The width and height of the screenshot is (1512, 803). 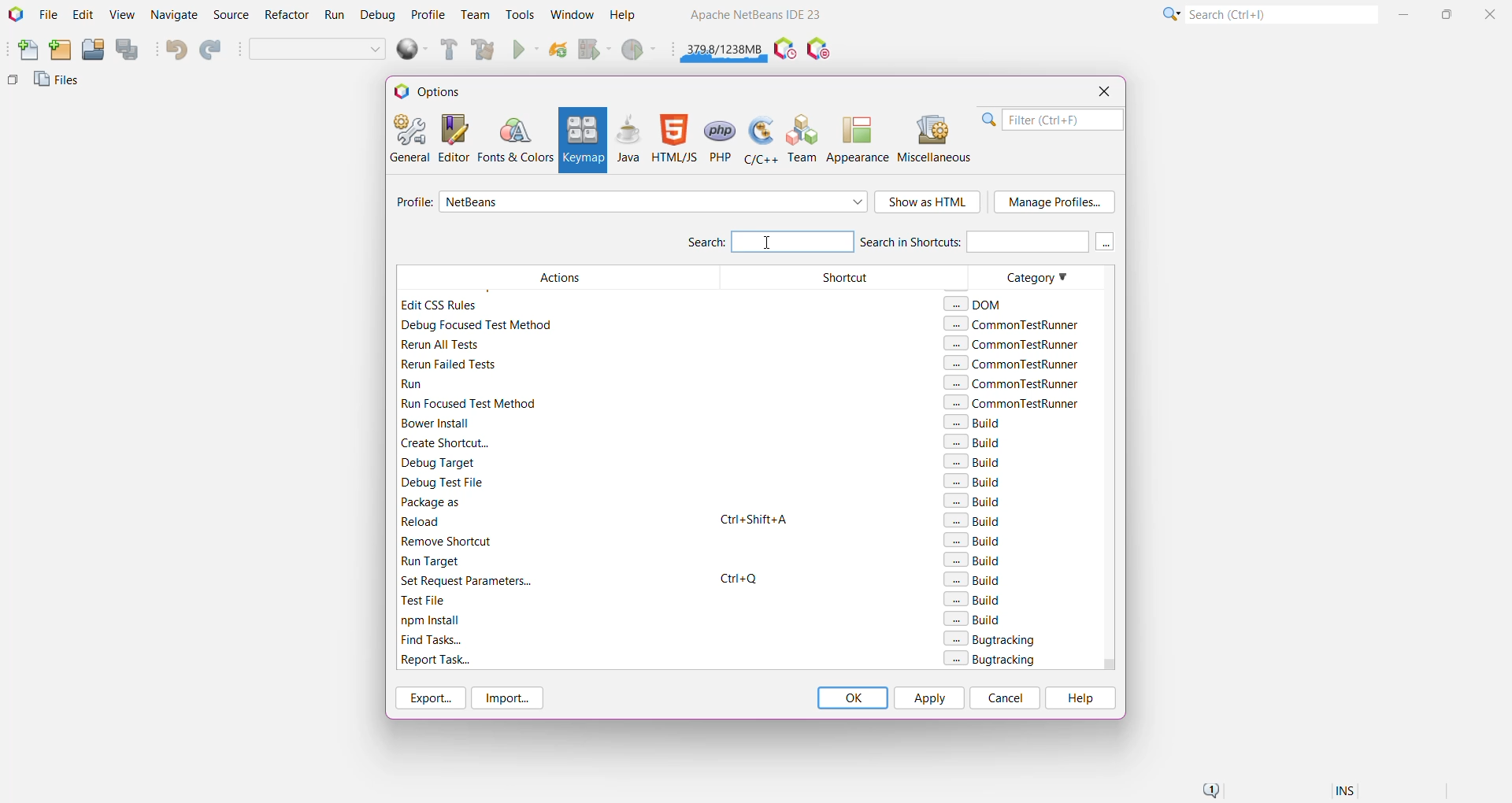 I want to click on C/C++, so click(x=759, y=139).